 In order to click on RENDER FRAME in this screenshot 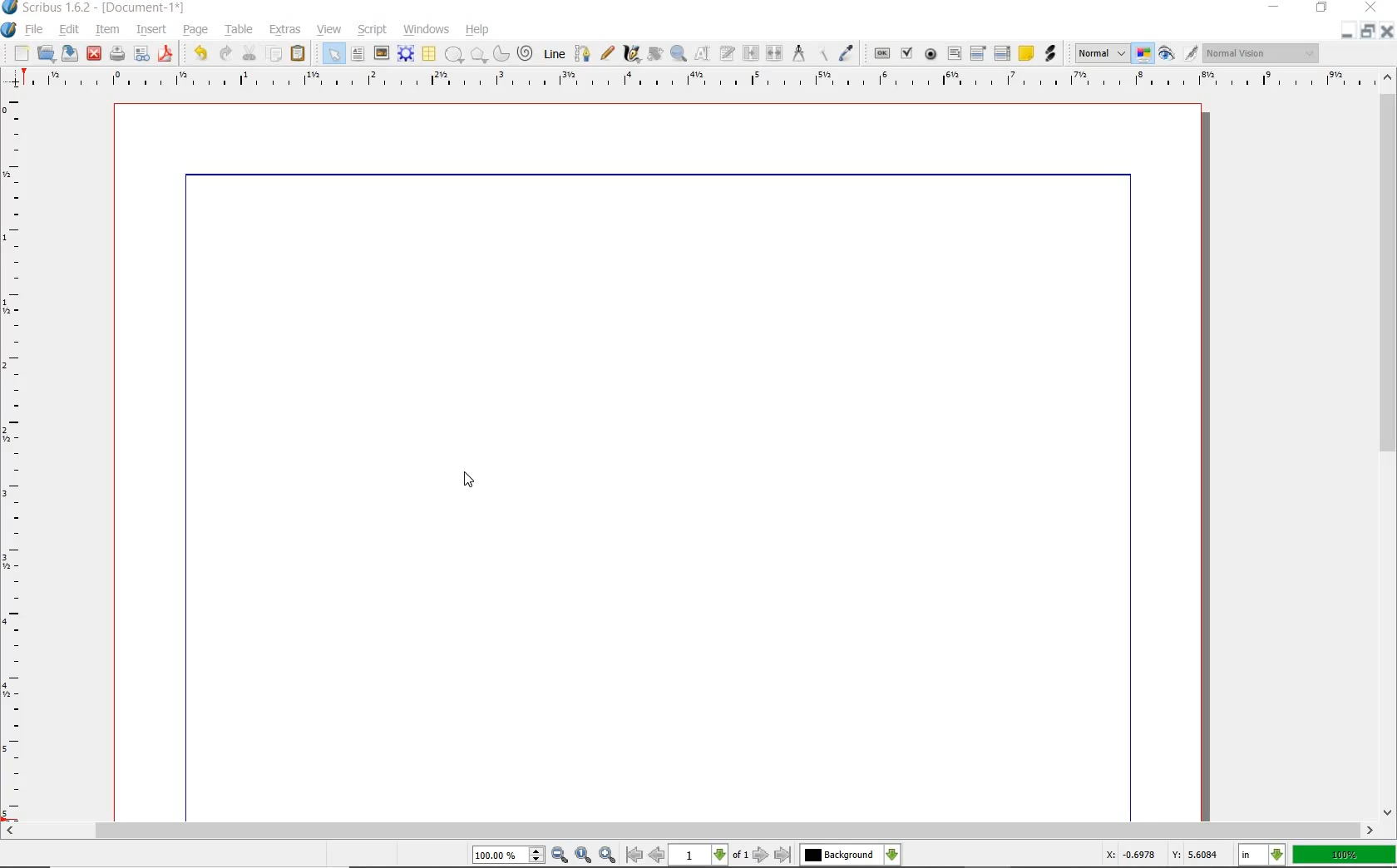, I will do `click(404, 53)`.